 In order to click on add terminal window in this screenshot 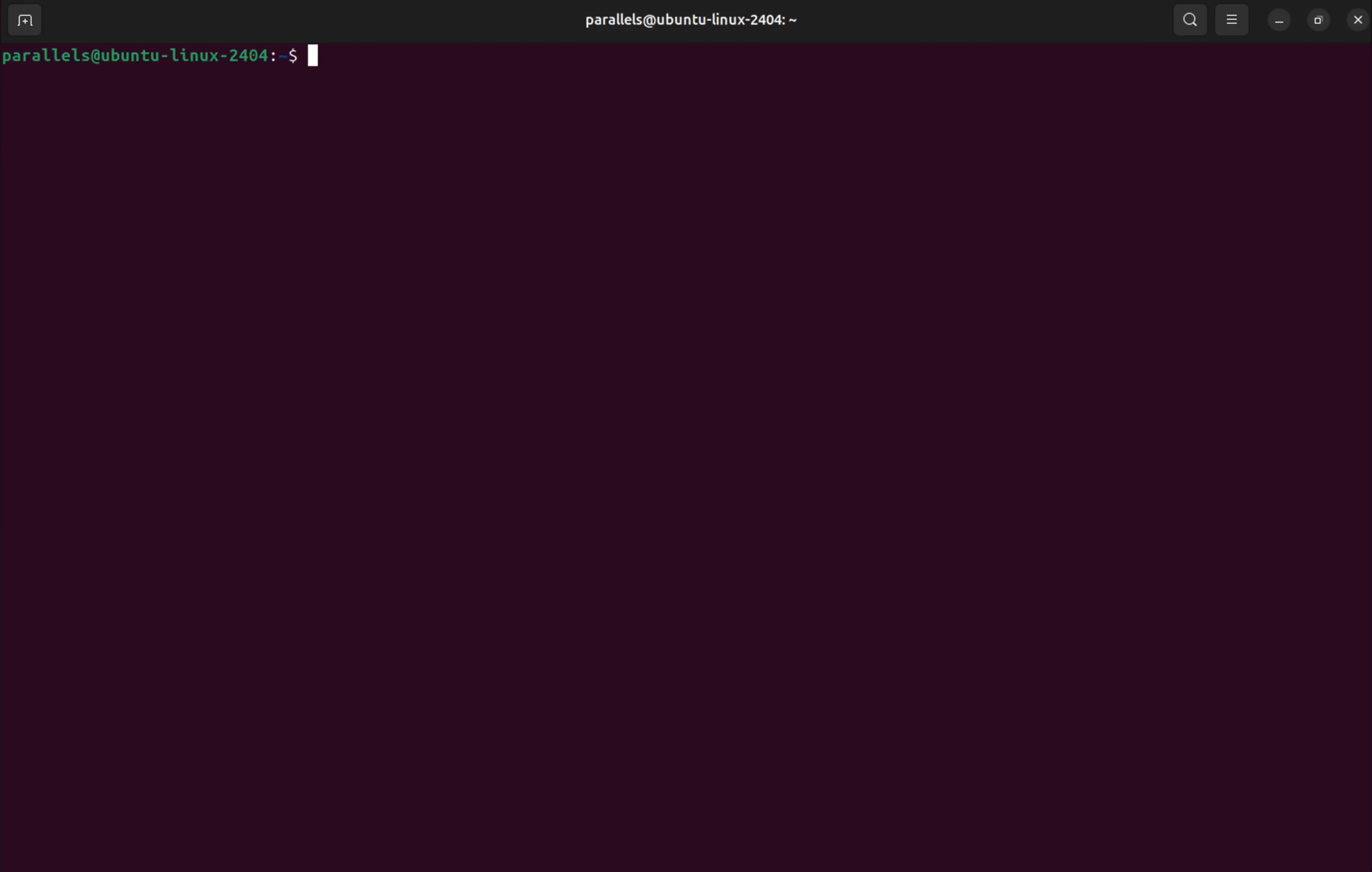, I will do `click(22, 22)`.